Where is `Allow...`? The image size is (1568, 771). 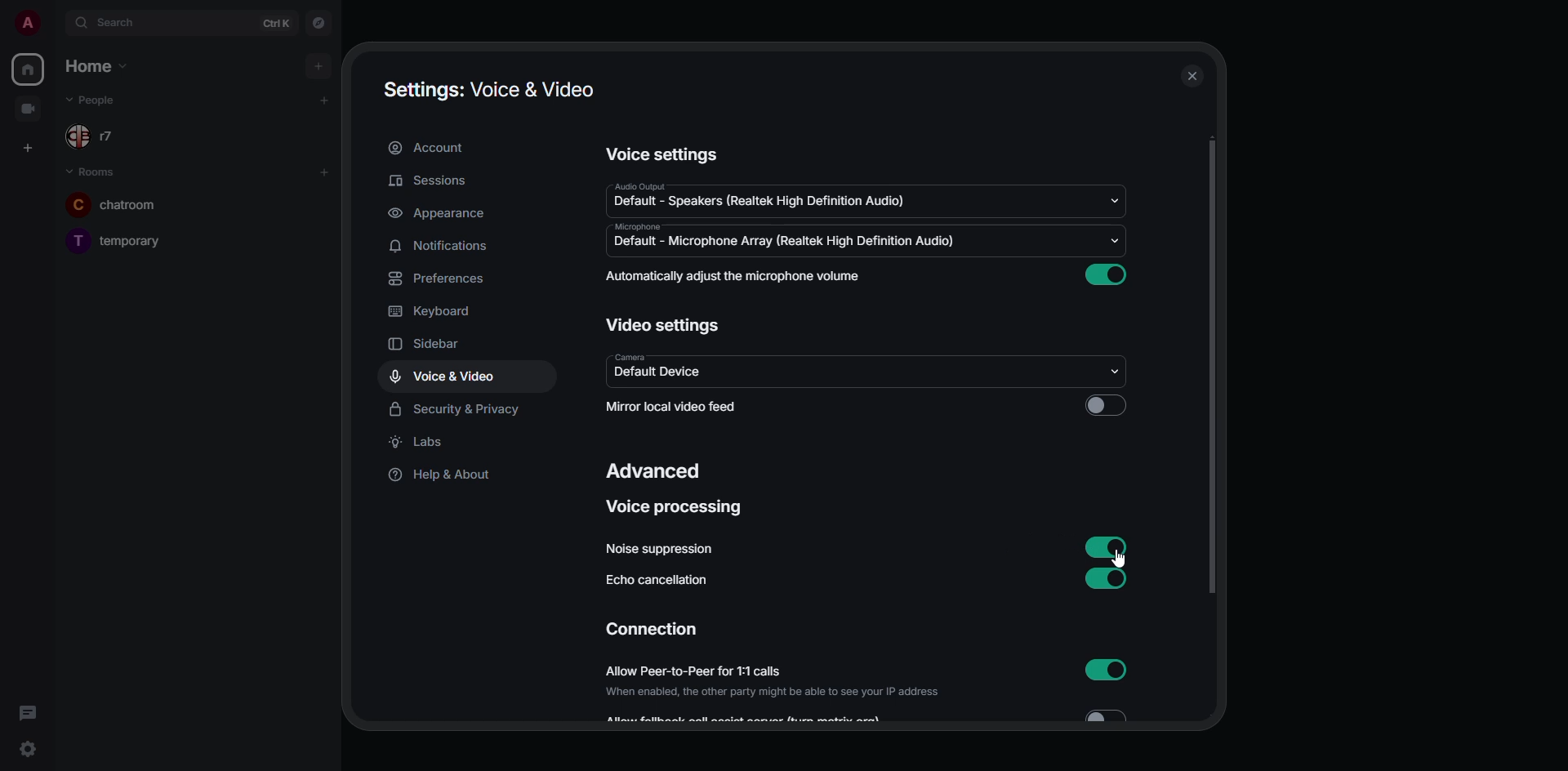
Allow... is located at coordinates (749, 719).